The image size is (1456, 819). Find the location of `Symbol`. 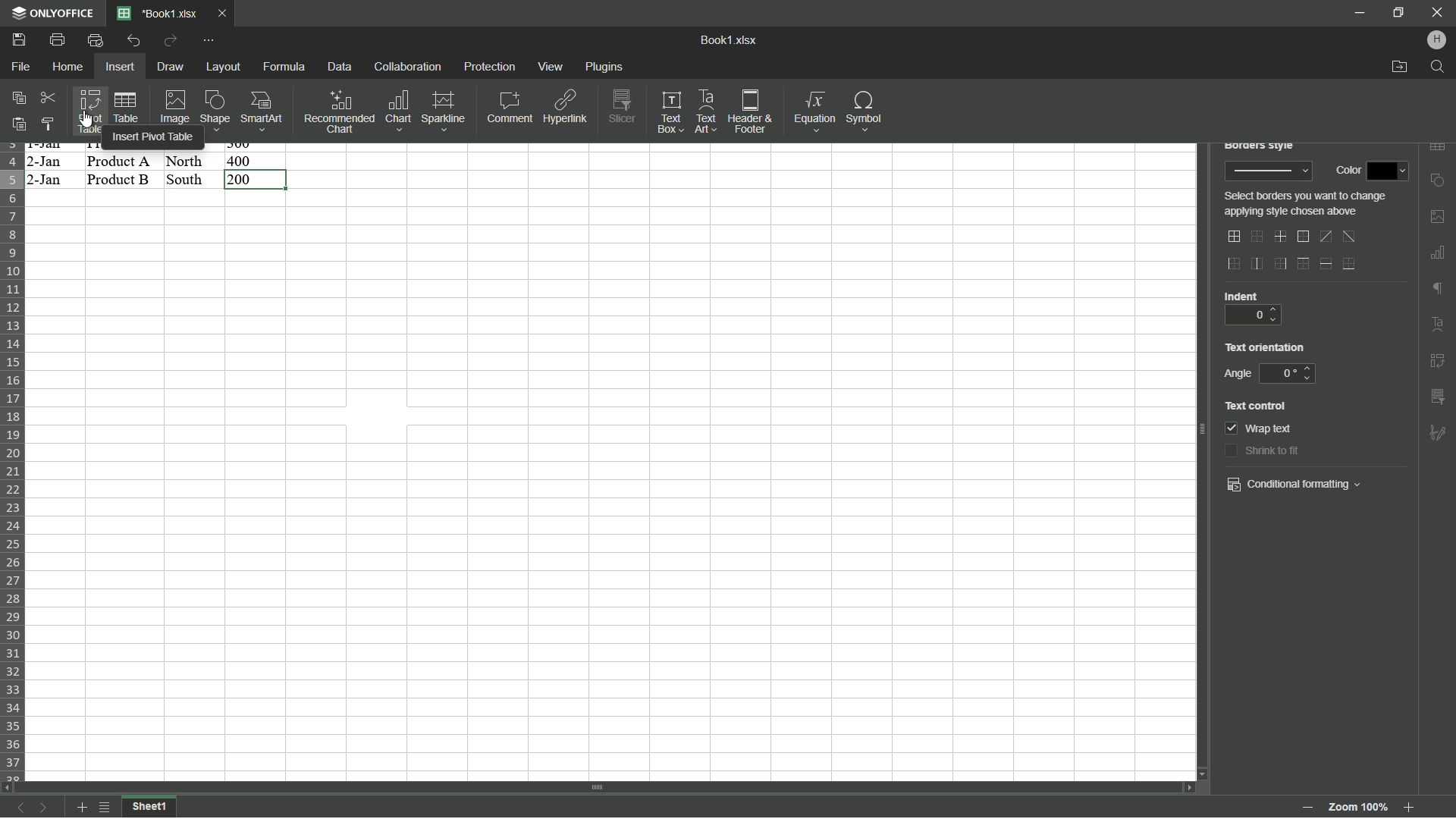

Symbol is located at coordinates (867, 113).